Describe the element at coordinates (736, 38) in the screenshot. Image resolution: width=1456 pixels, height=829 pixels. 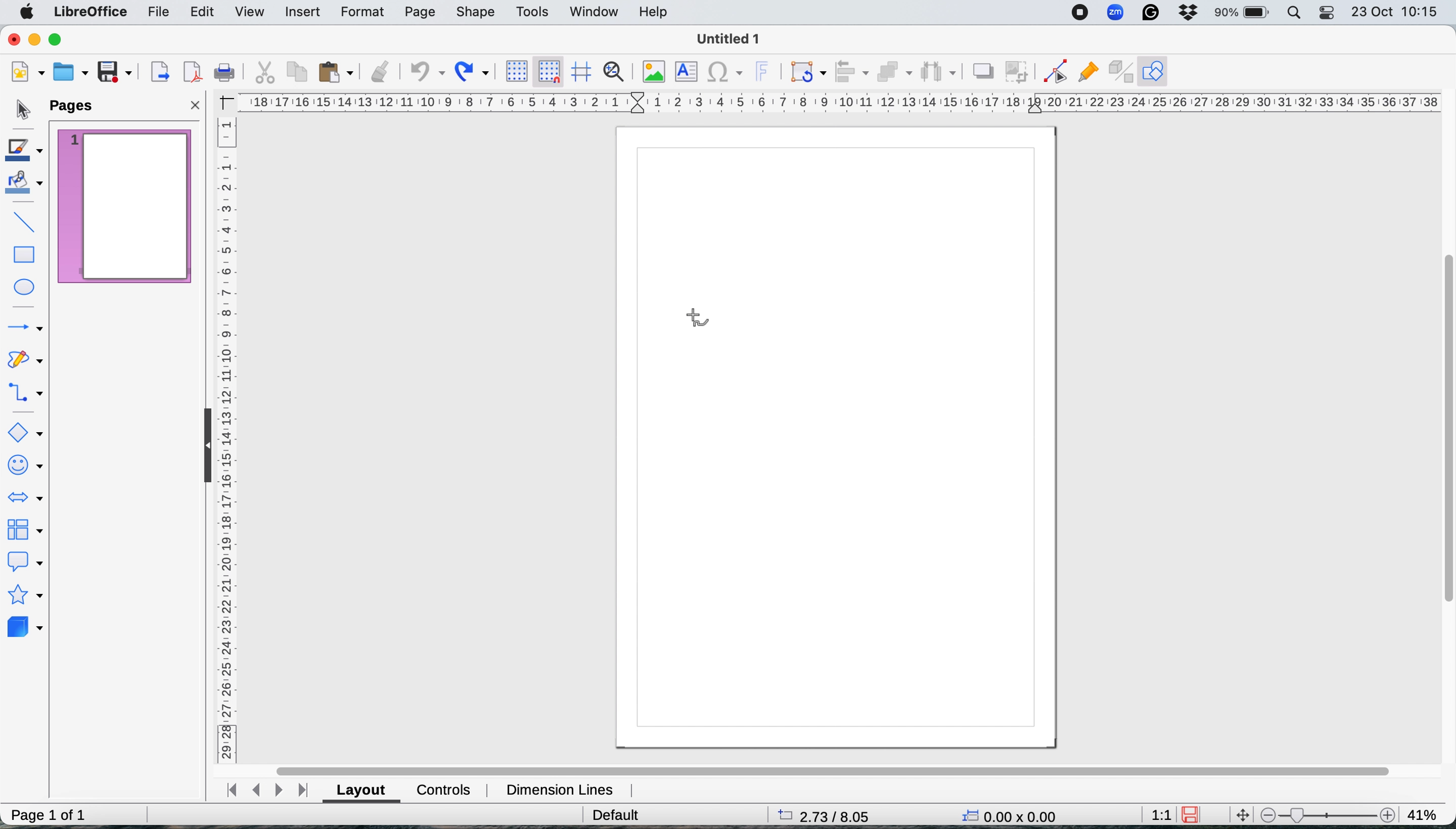
I see `file name` at that location.